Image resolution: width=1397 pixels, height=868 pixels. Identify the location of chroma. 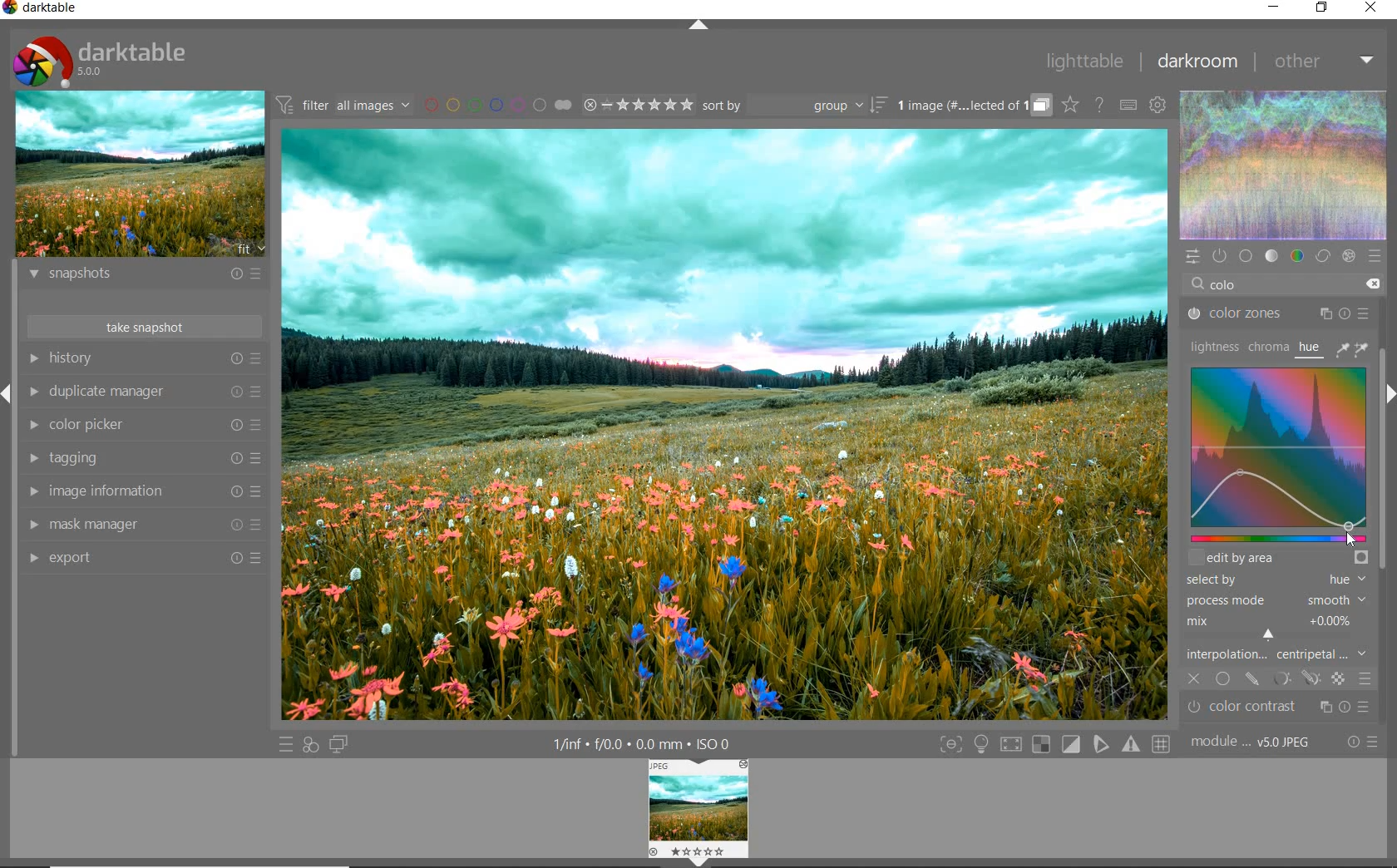
(1268, 347).